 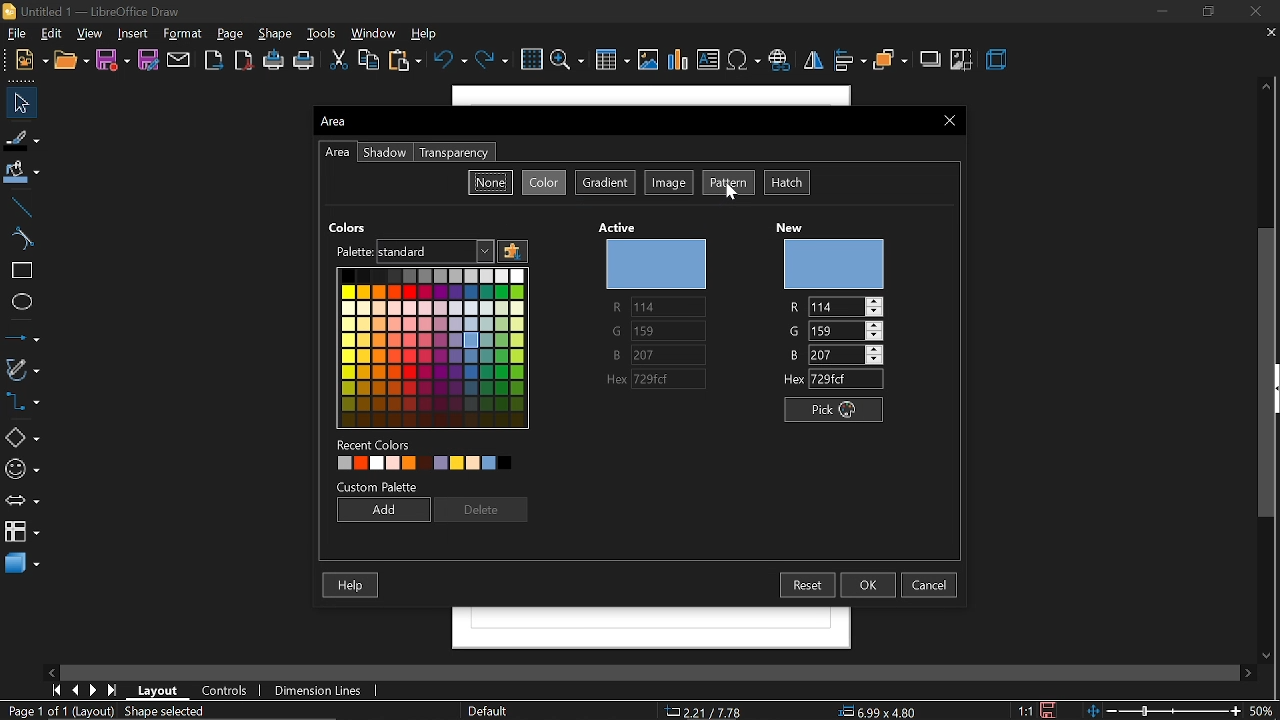 What do you see at coordinates (74, 691) in the screenshot?
I see `previous page` at bounding box center [74, 691].